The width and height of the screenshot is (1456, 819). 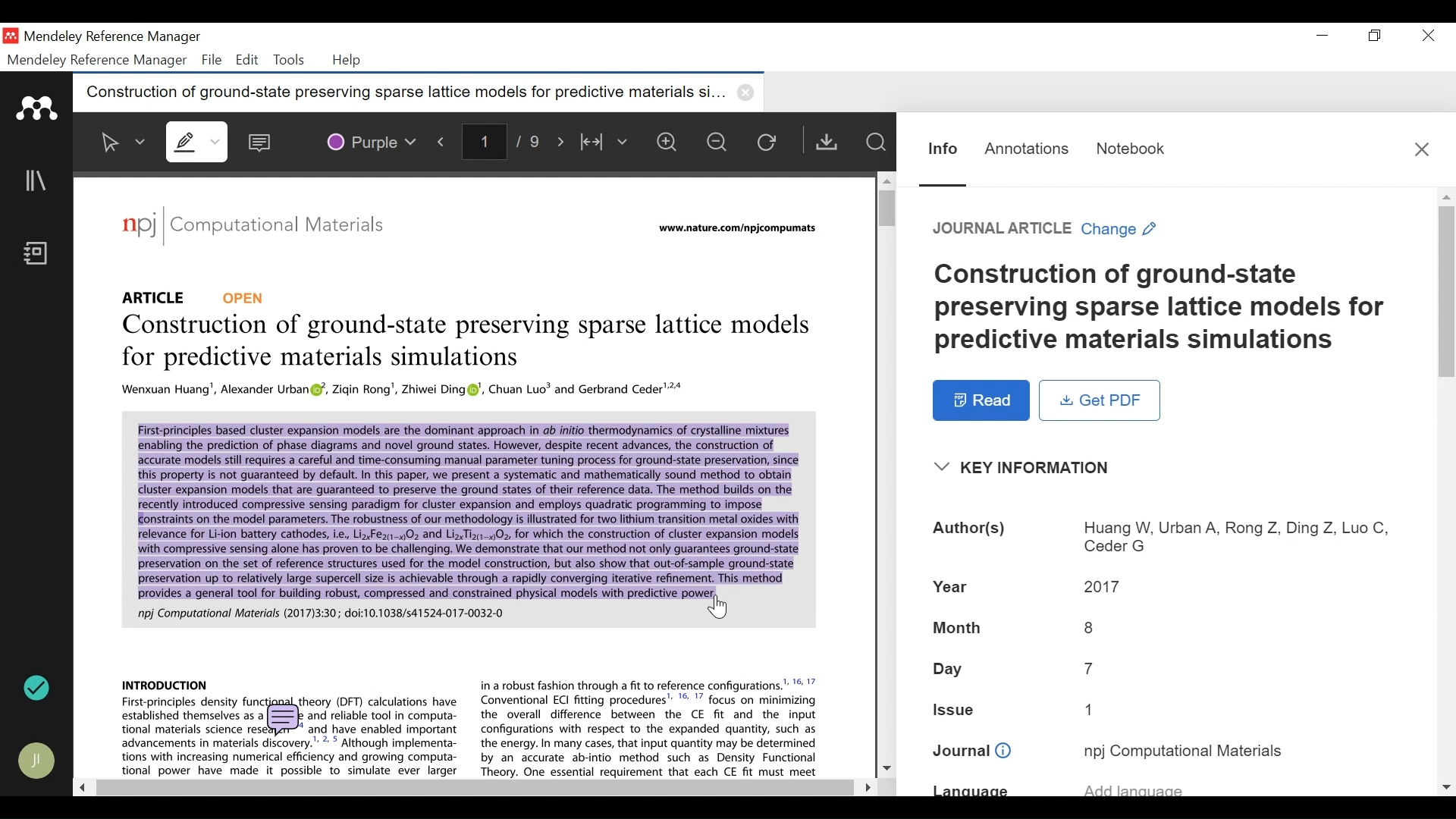 I want to click on Language, so click(x=971, y=790).